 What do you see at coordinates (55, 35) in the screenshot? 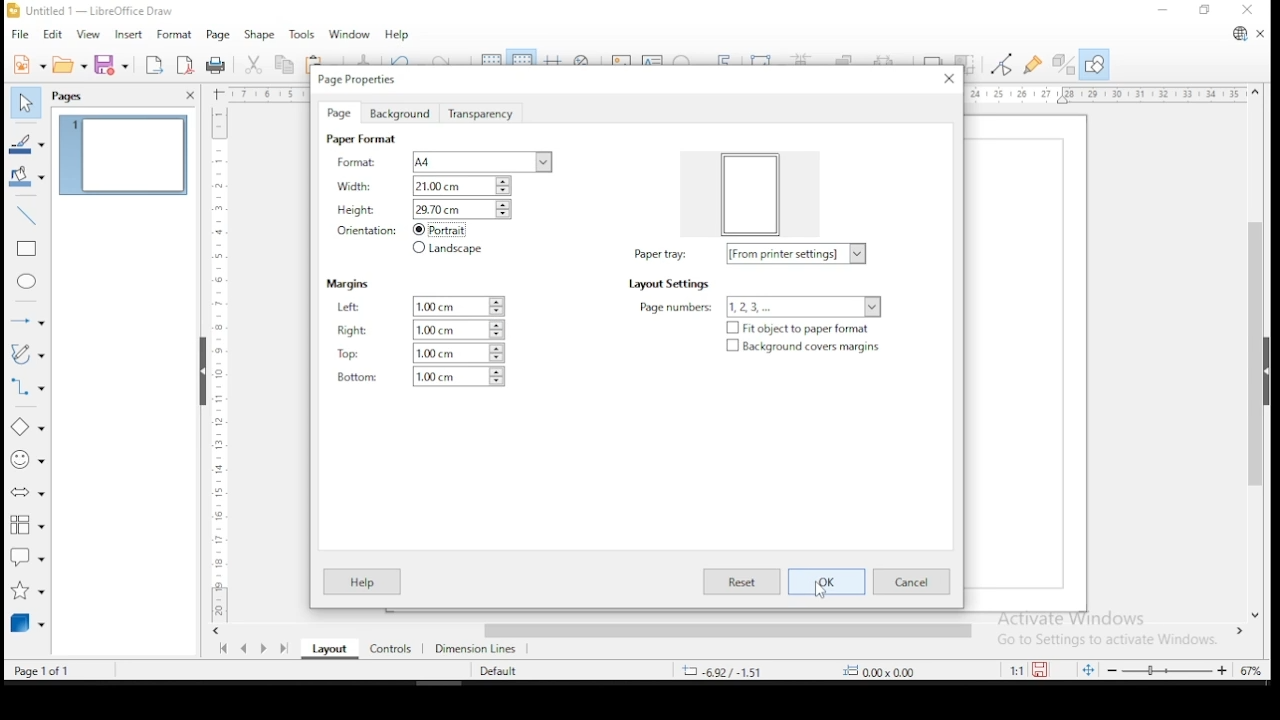
I see `edit` at bounding box center [55, 35].